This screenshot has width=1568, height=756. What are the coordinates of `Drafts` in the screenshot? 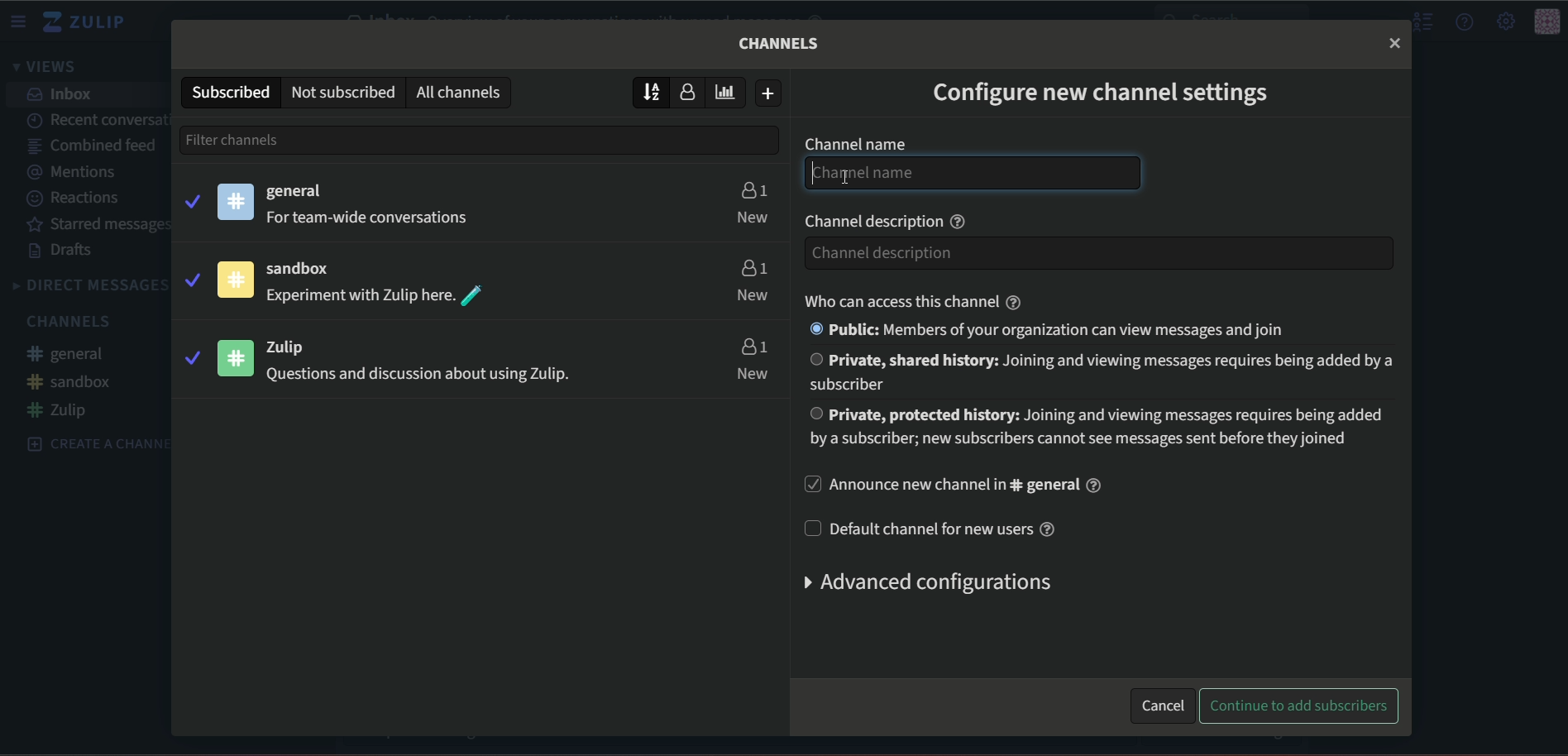 It's located at (64, 251).